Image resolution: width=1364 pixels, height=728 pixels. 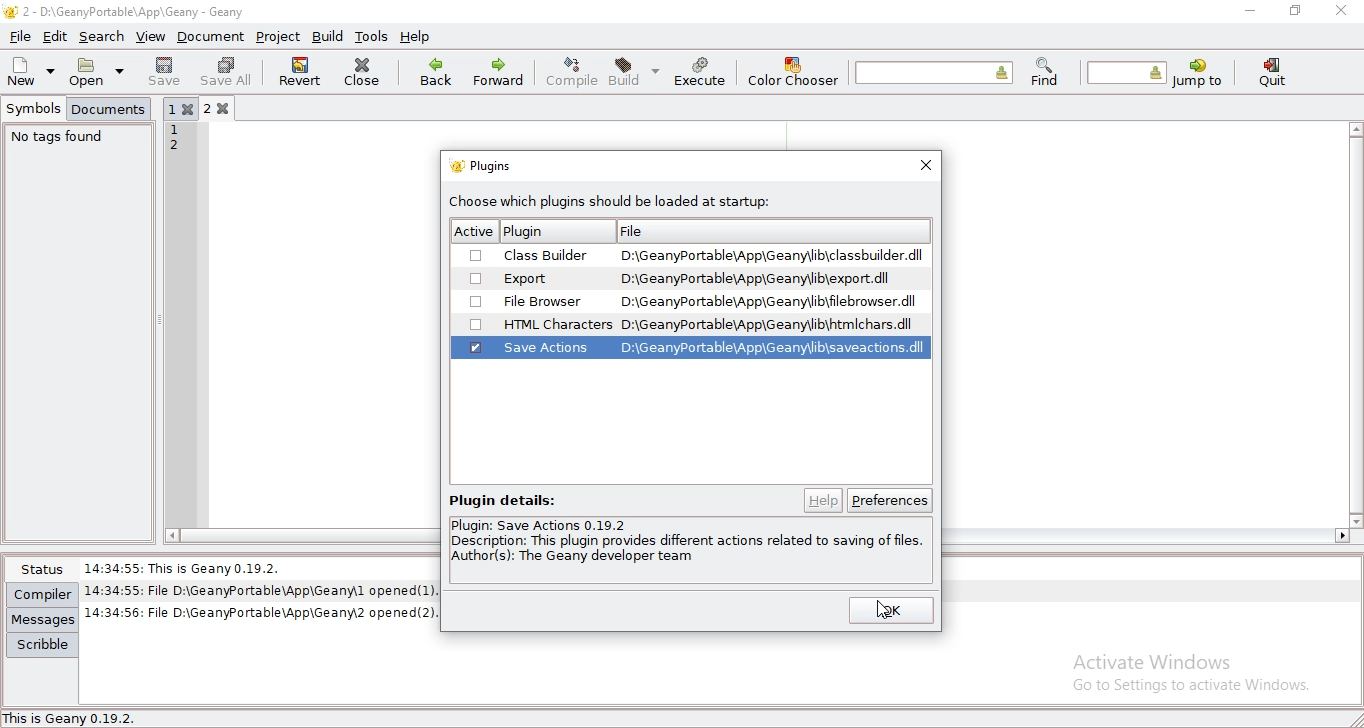 I want to click on 14:34:55: File D:\GeanyPortable\App\Geany\l opened(1)., so click(x=264, y=588).